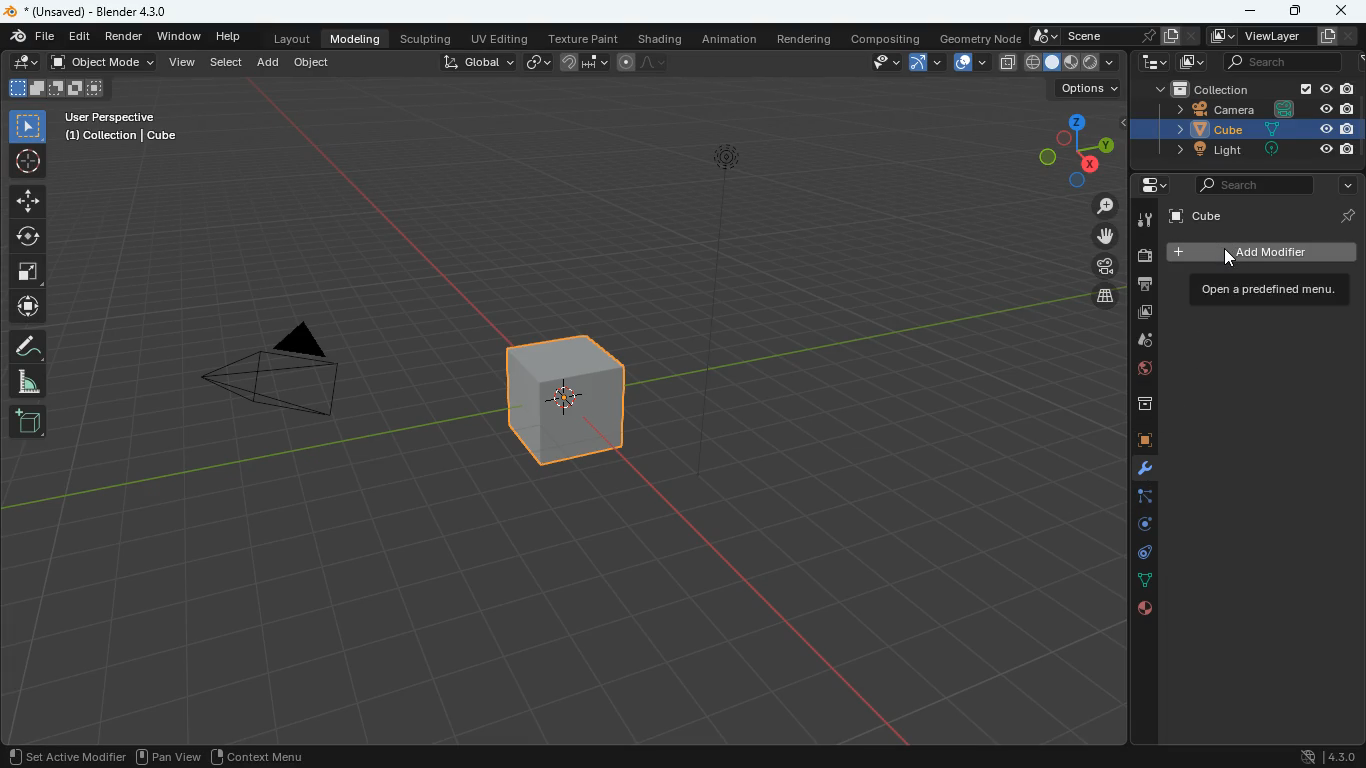 Image resolution: width=1366 pixels, height=768 pixels. Describe the element at coordinates (1200, 108) in the screenshot. I see `camera` at that location.